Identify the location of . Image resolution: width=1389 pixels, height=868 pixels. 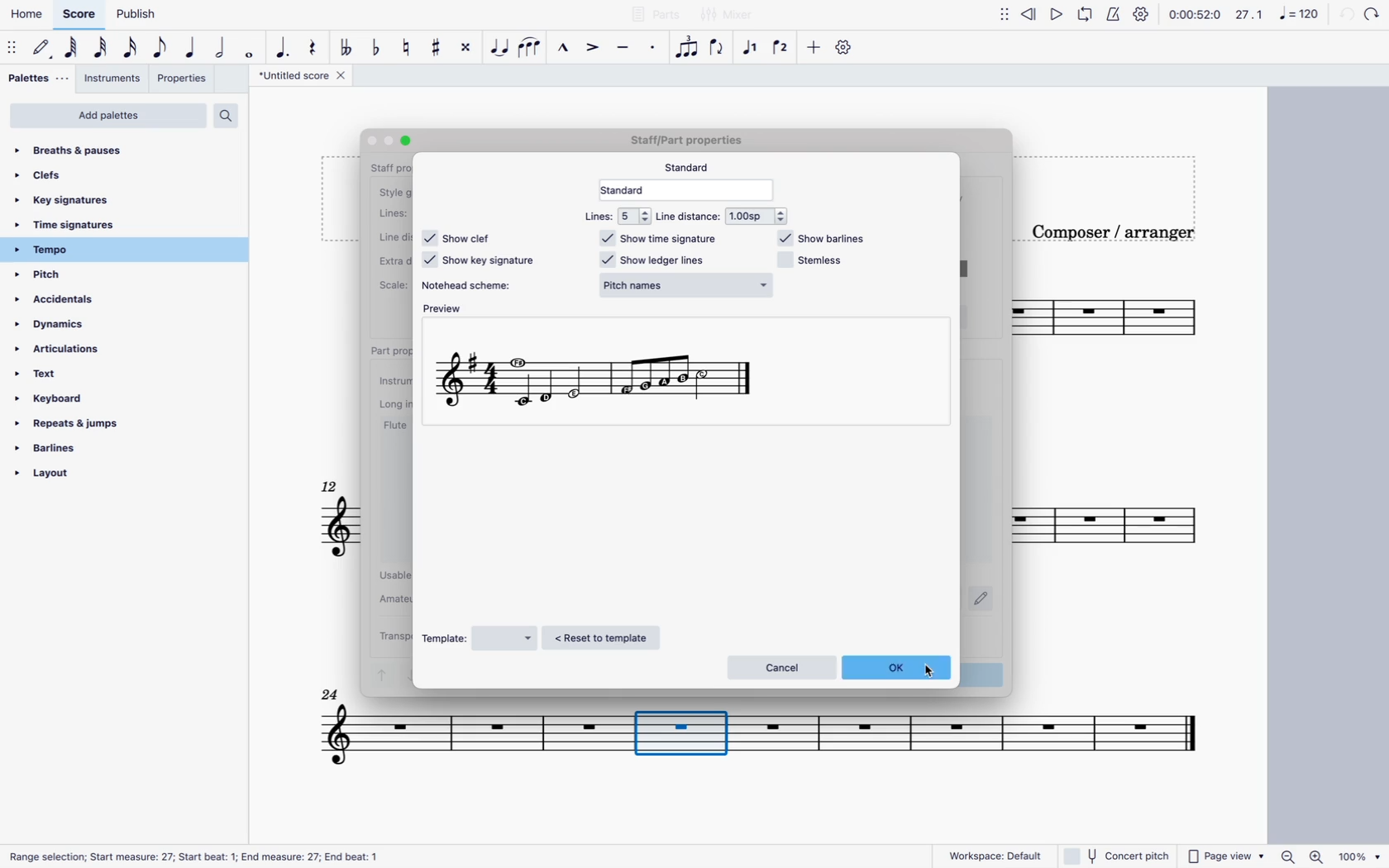
(202, 856).